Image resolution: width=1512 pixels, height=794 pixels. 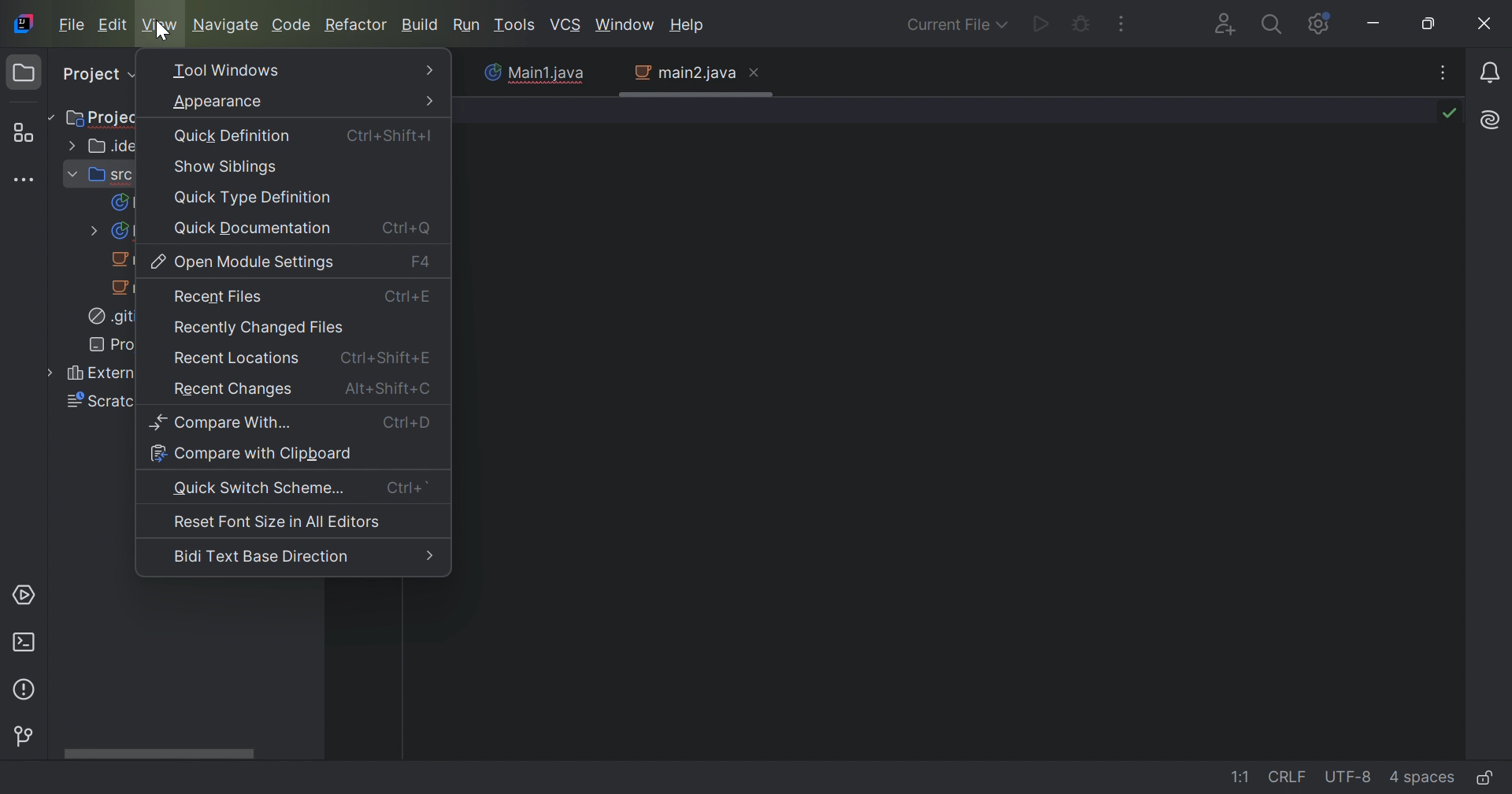 What do you see at coordinates (1276, 25) in the screenshot?
I see `Search everywhere` at bounding box center [1276, 25].